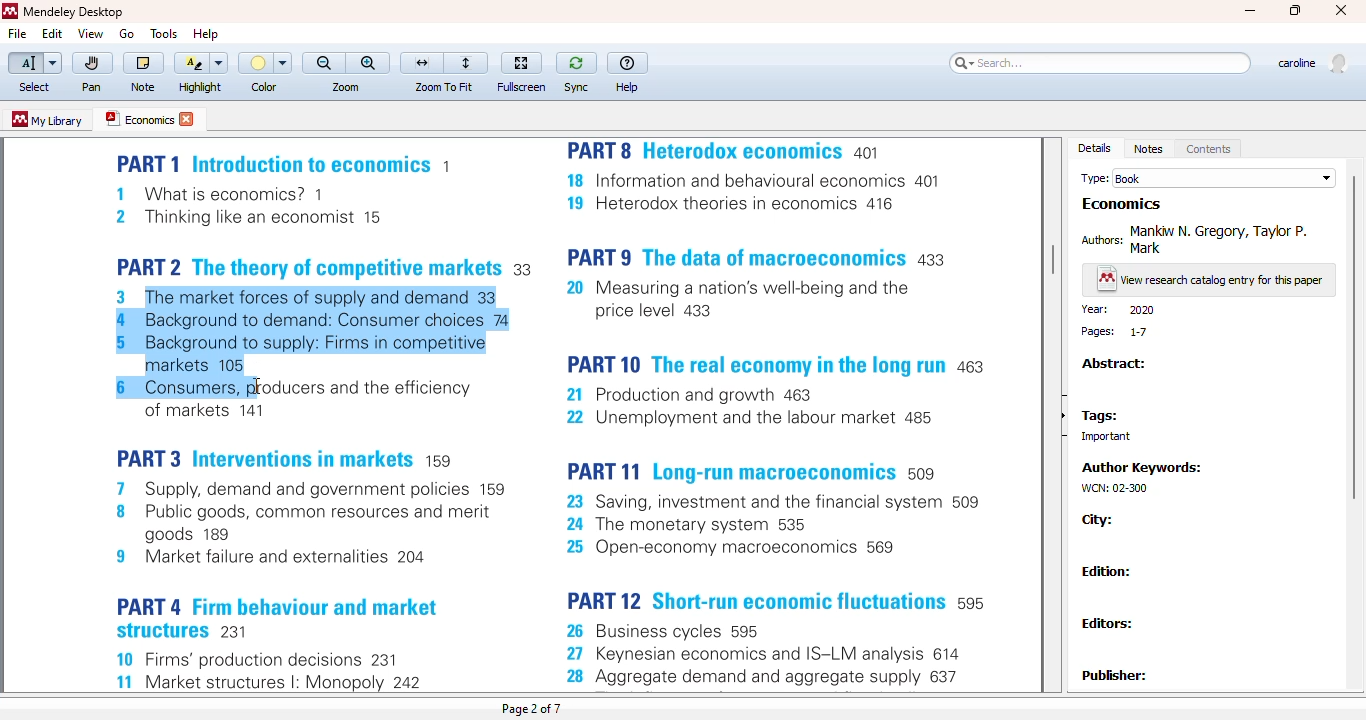 This screenshot has width=1366, height=720. What do you see at coordinates (74, 12) in the screenshot?
I see `mendeley desktop` at bounding box center [74, 12].